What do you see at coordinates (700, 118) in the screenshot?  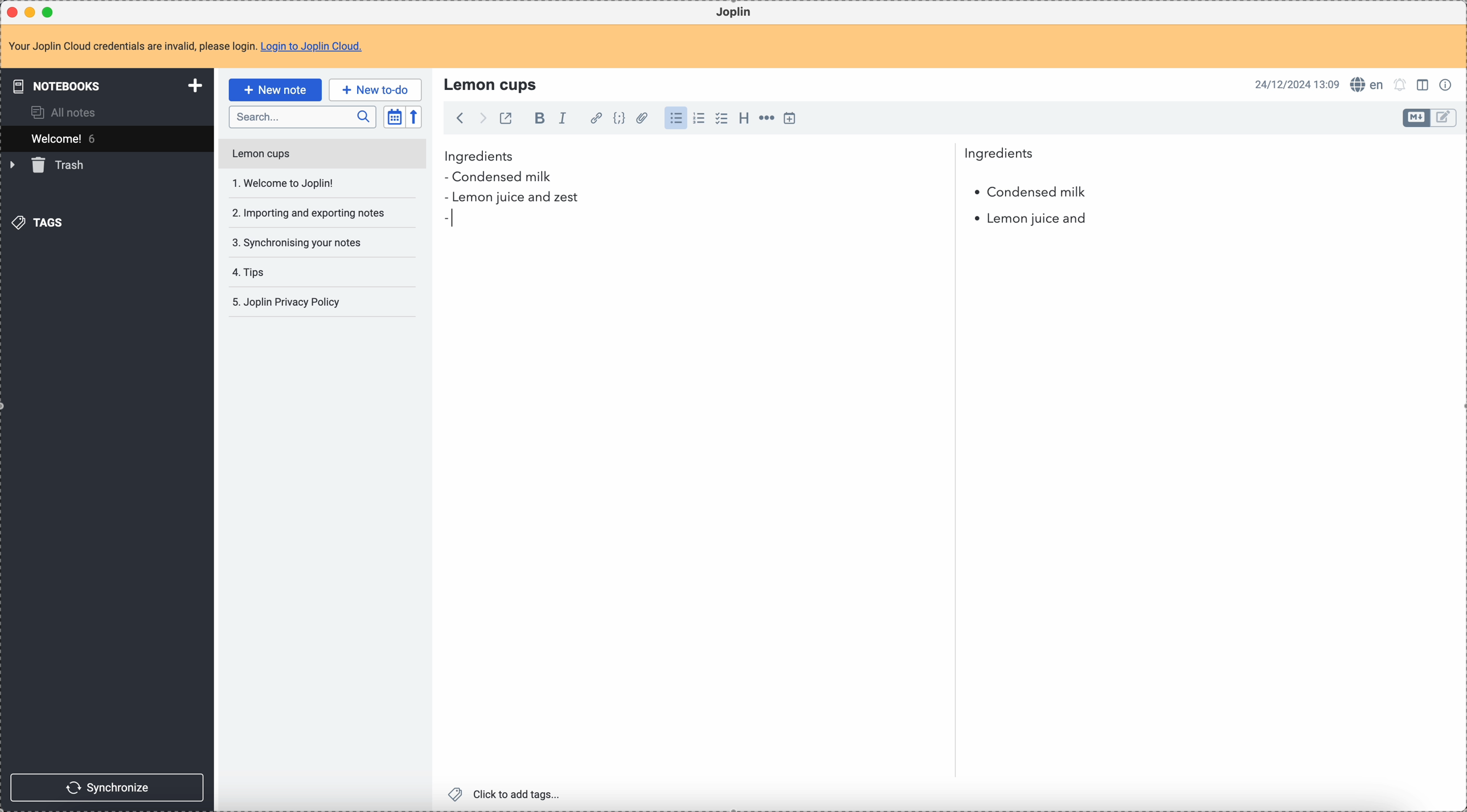 I see `numbered list` at bounding box center [700, 118].